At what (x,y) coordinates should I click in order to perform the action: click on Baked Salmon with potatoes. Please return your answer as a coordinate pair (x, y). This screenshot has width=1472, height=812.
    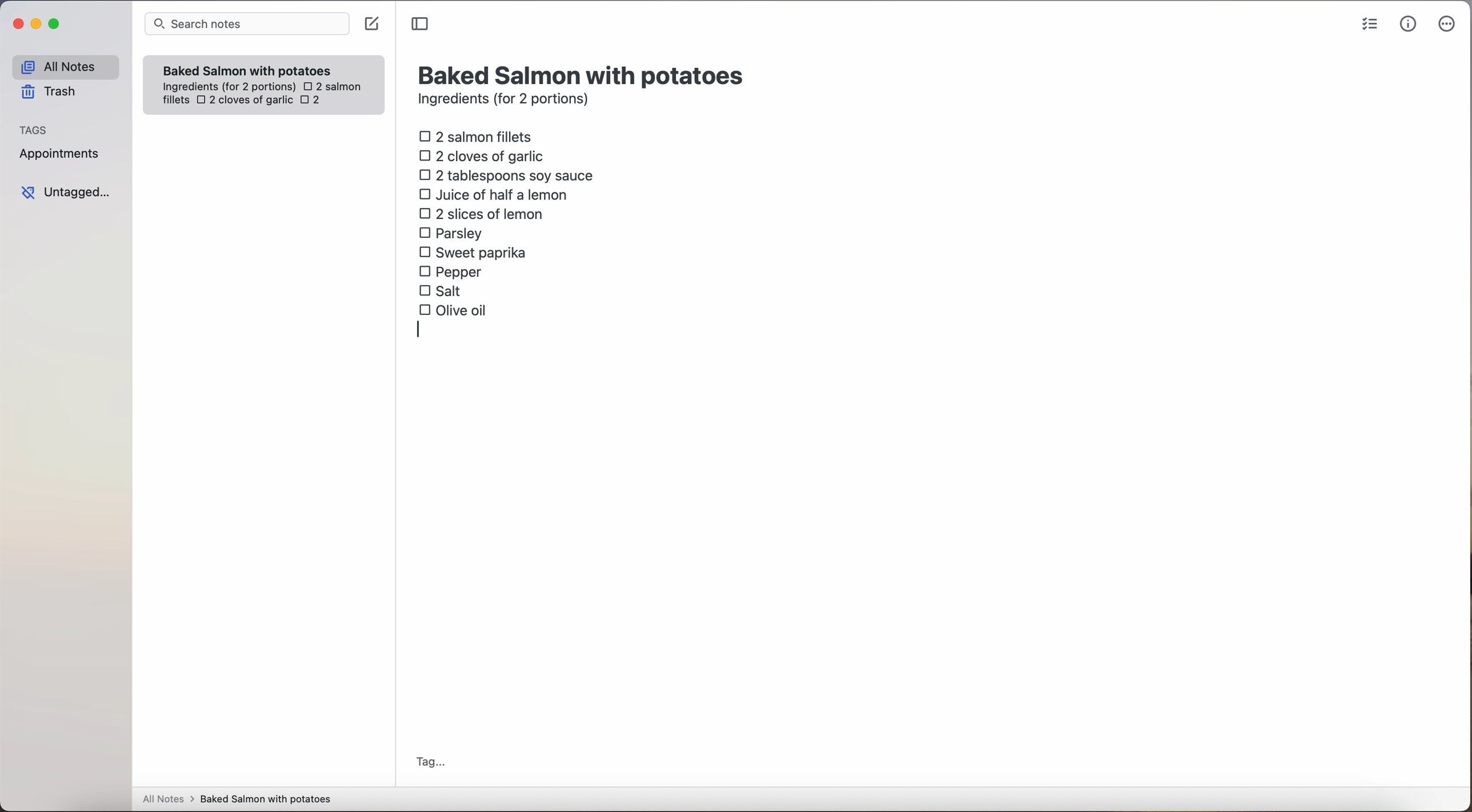
    Looking at the image, I should click on (247, 68).